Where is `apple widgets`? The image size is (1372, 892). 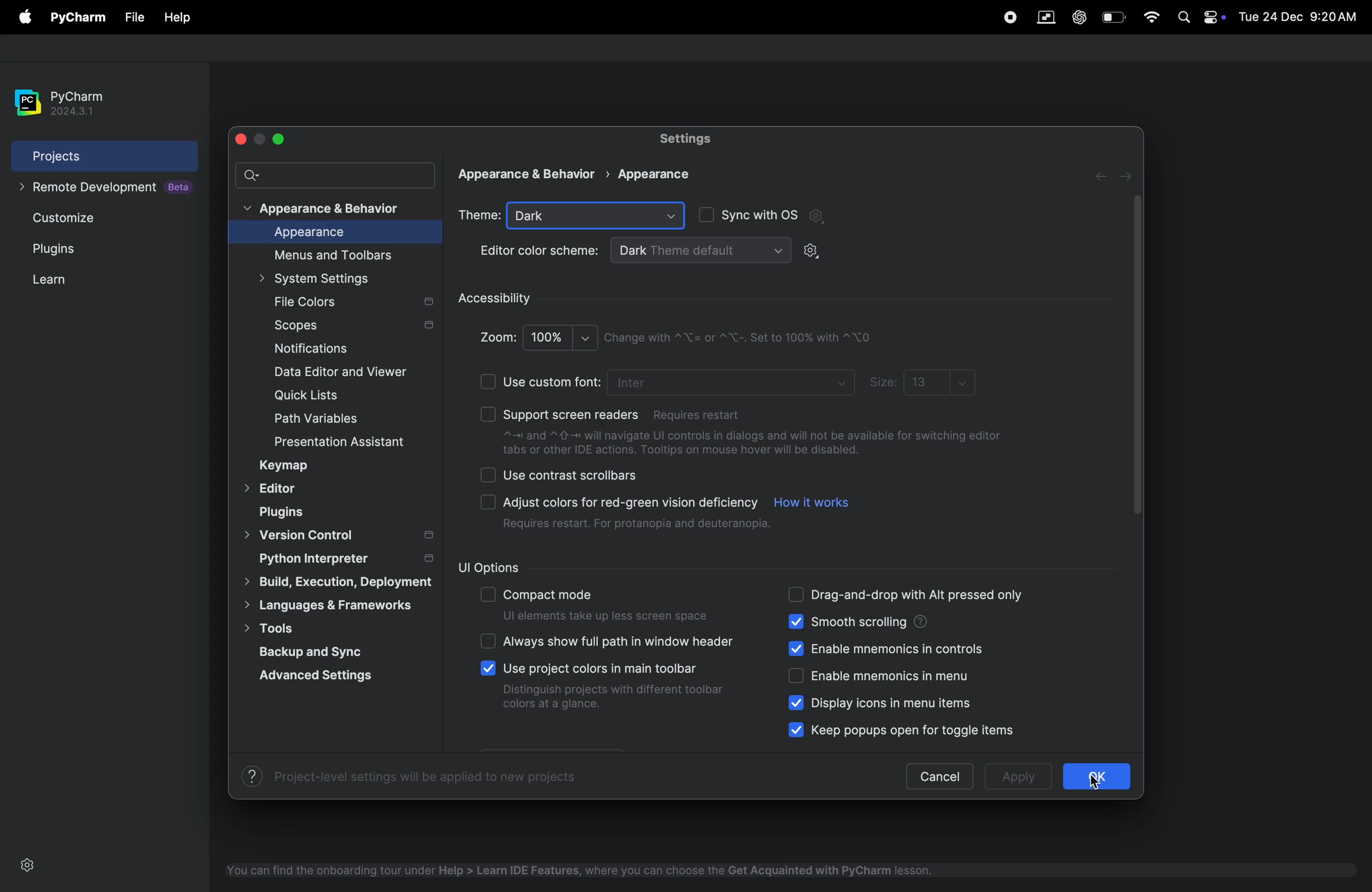
apple widgets is located at coordinates (1215, 16).